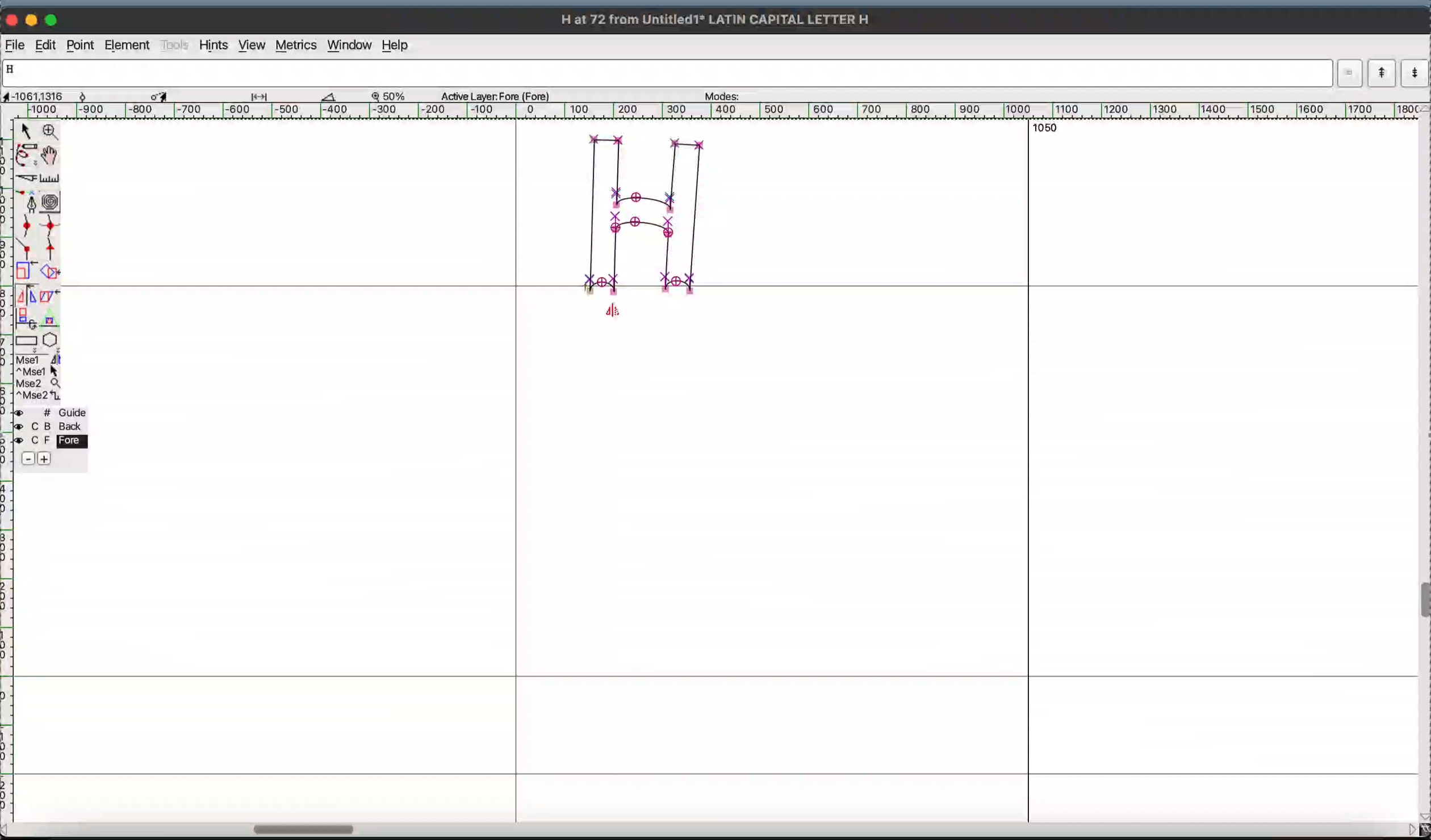 The width and height of the screenshot is (1431, 840). I want to click on layer palette, so click(52, 436).